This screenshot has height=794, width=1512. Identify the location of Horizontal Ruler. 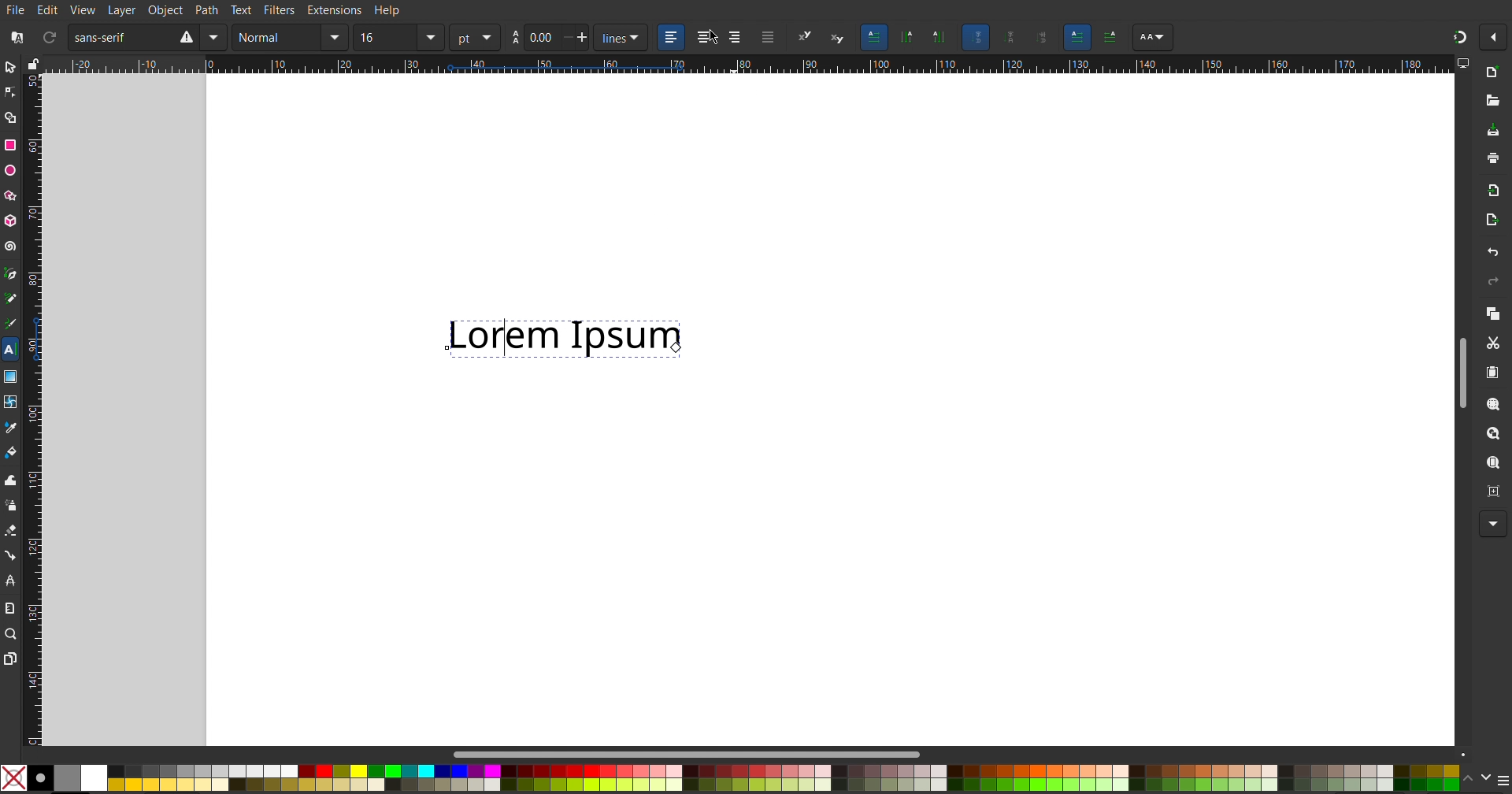
(813, 65).